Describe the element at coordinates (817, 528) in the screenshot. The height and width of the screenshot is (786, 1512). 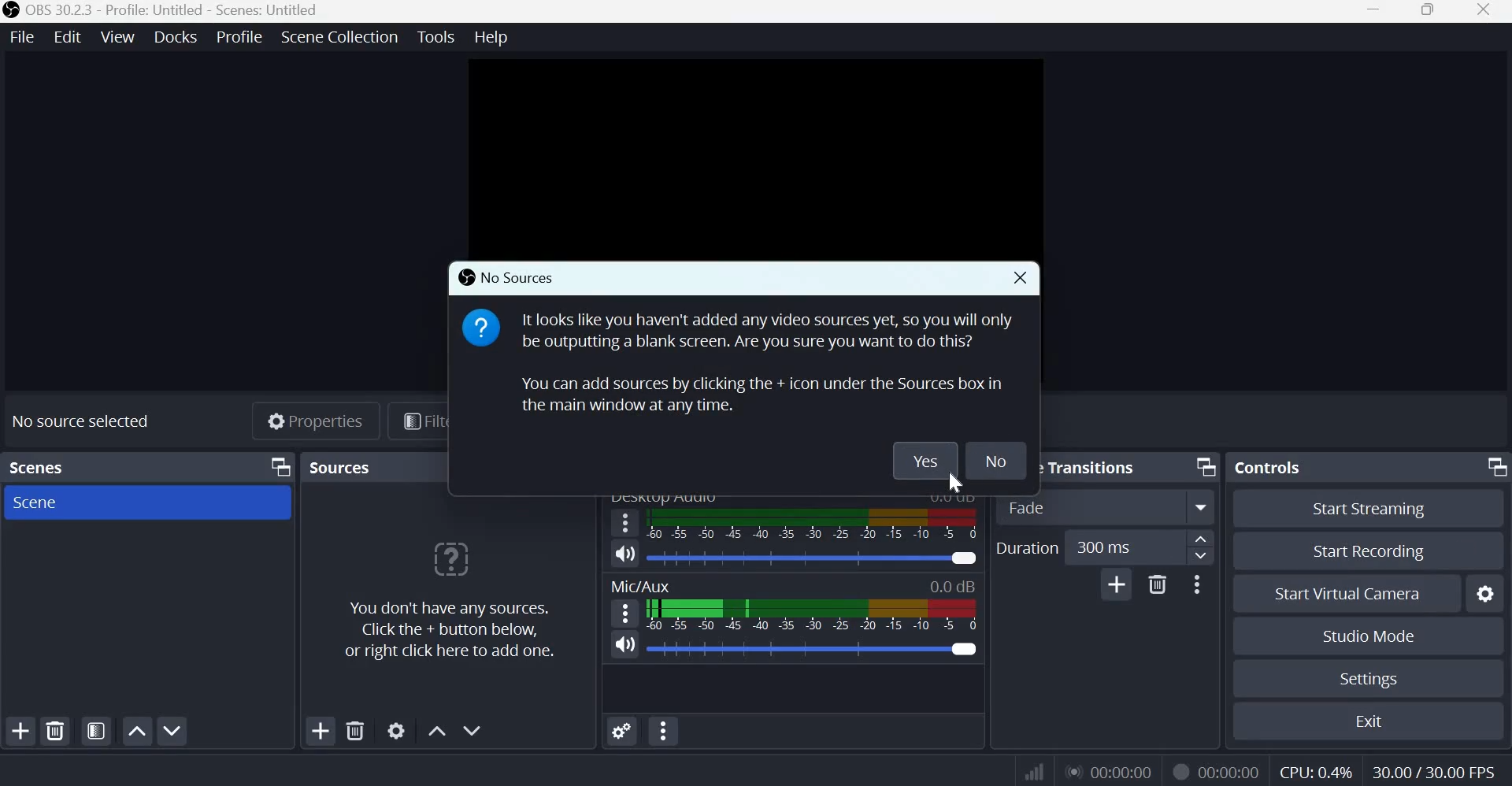
I see `Volume meter` at that location.